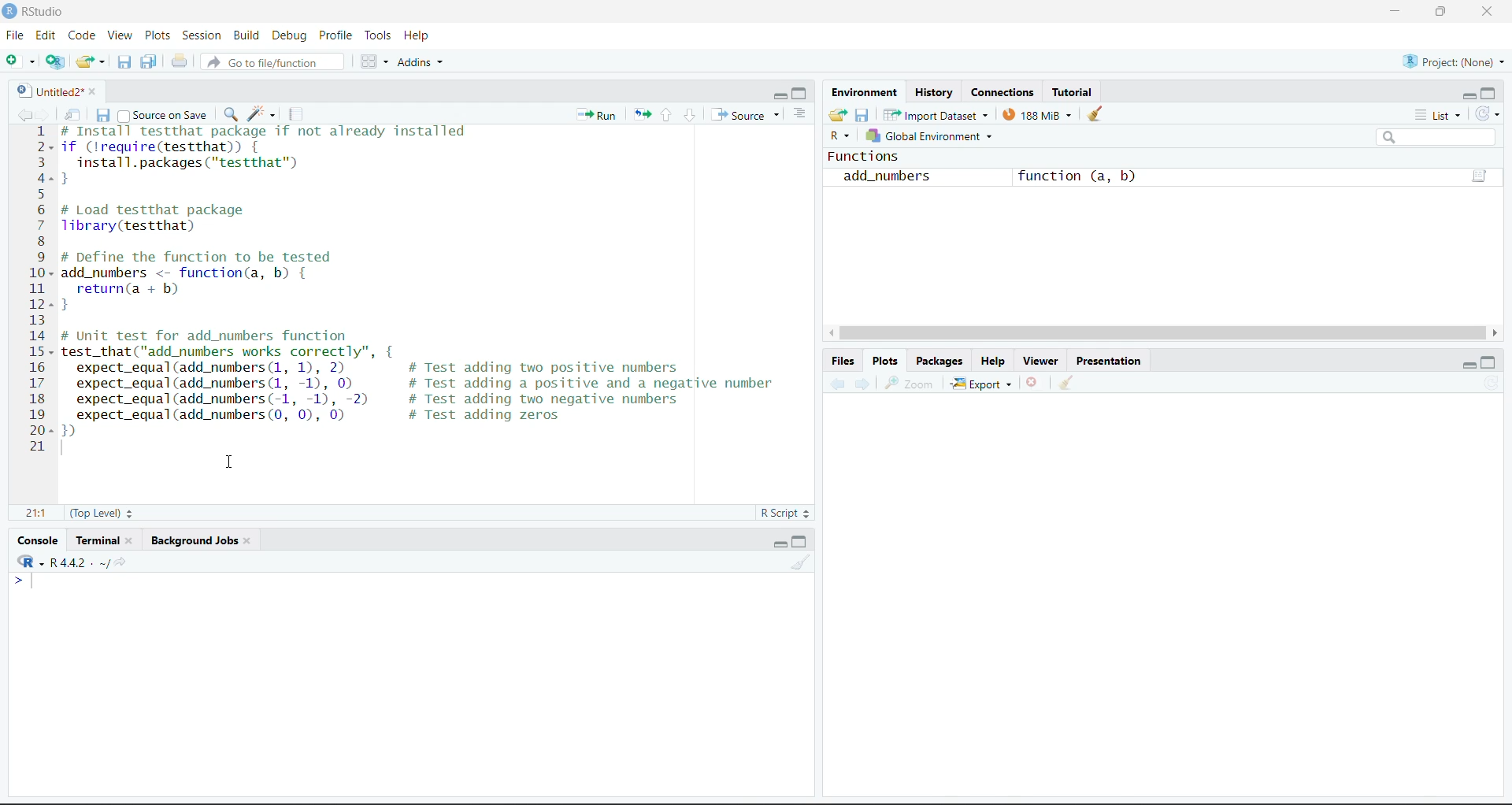 This screenshot has width=1512, height=805. Describe the element at coordinates (232, 114) in the screenshot. I see `find/replace` at that location.